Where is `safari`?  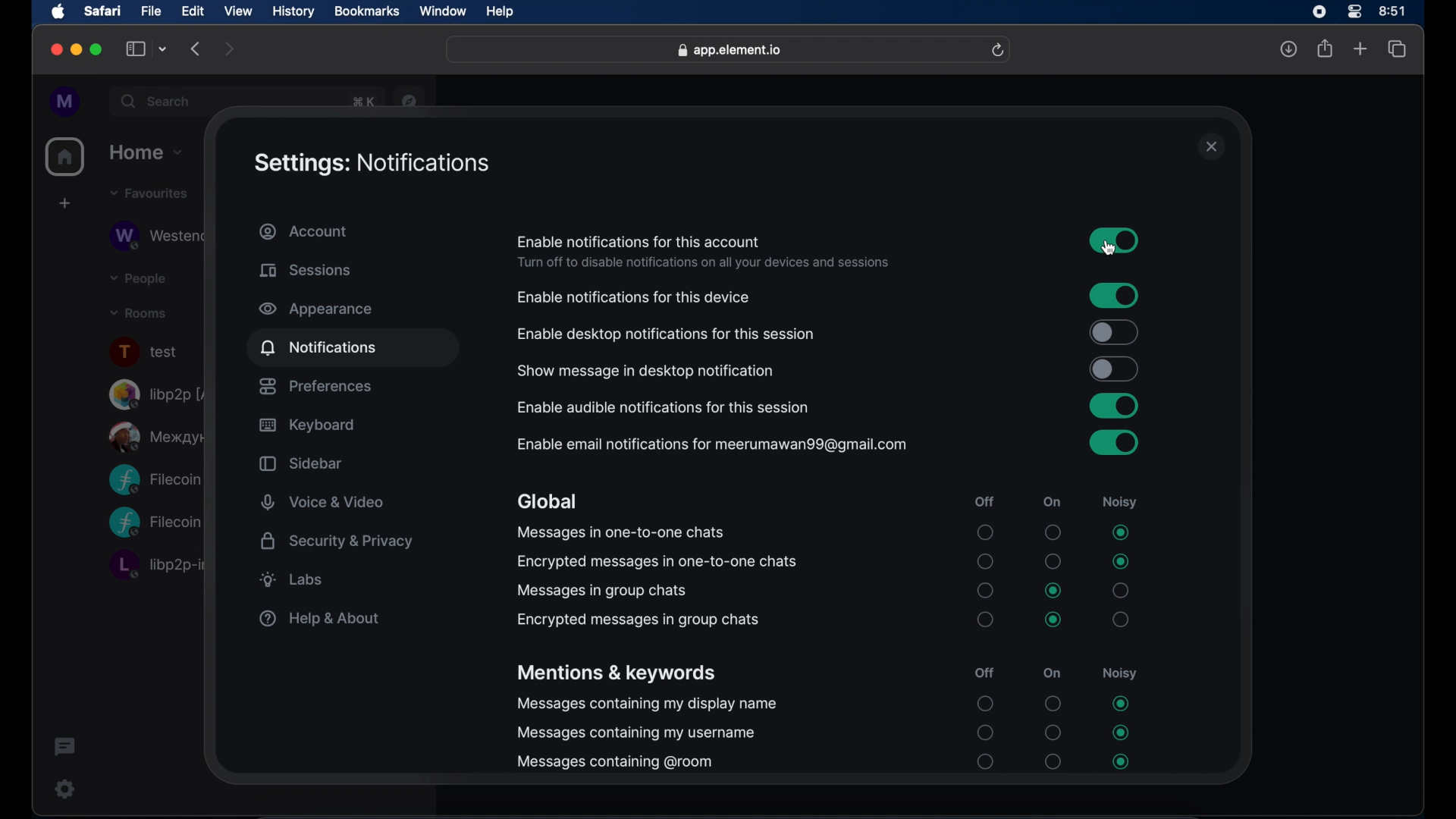 safari is located at coordinates (104, 11).